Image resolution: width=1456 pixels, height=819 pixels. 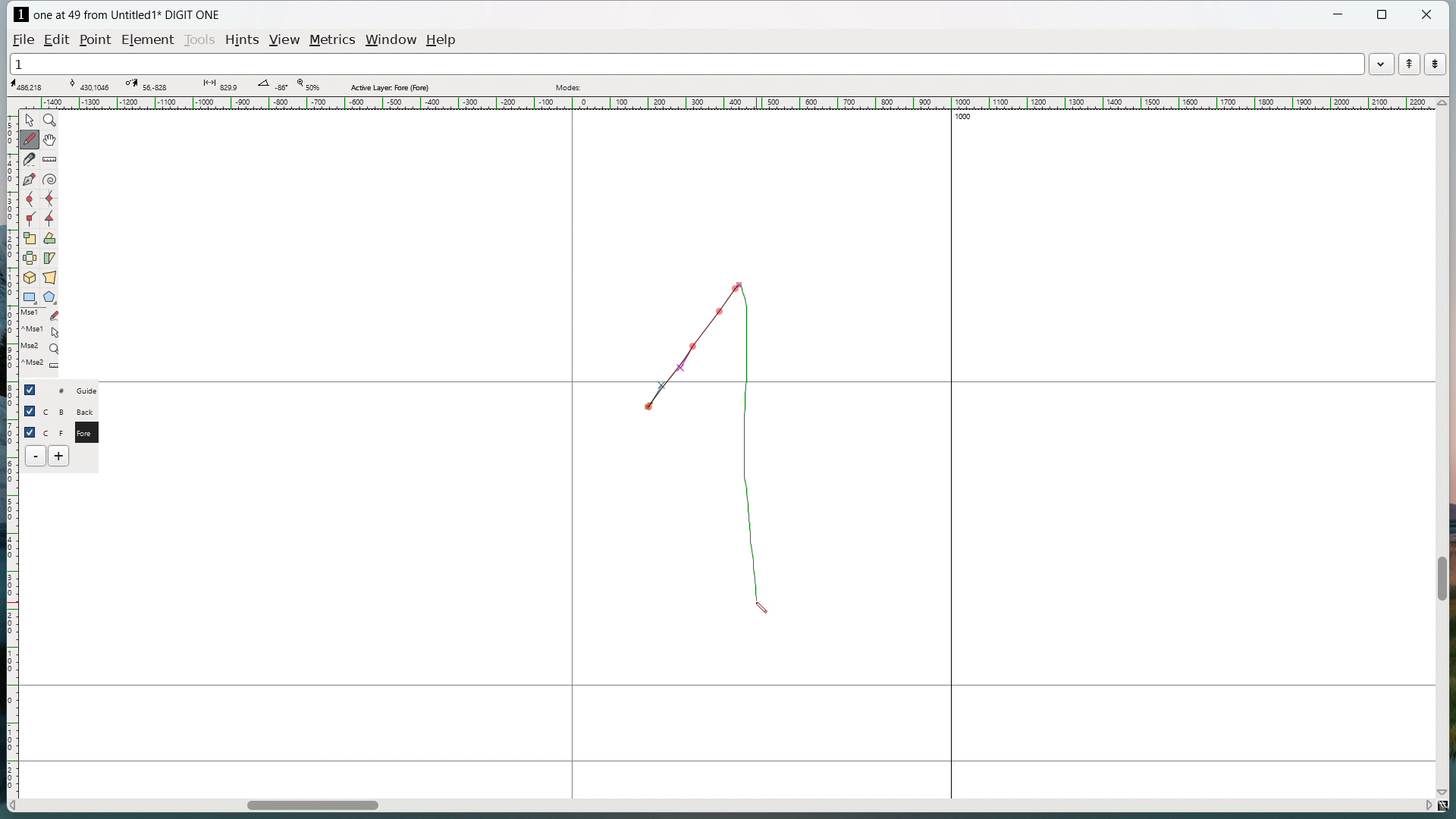 I want to click on close, so click(x=1426, y=14).